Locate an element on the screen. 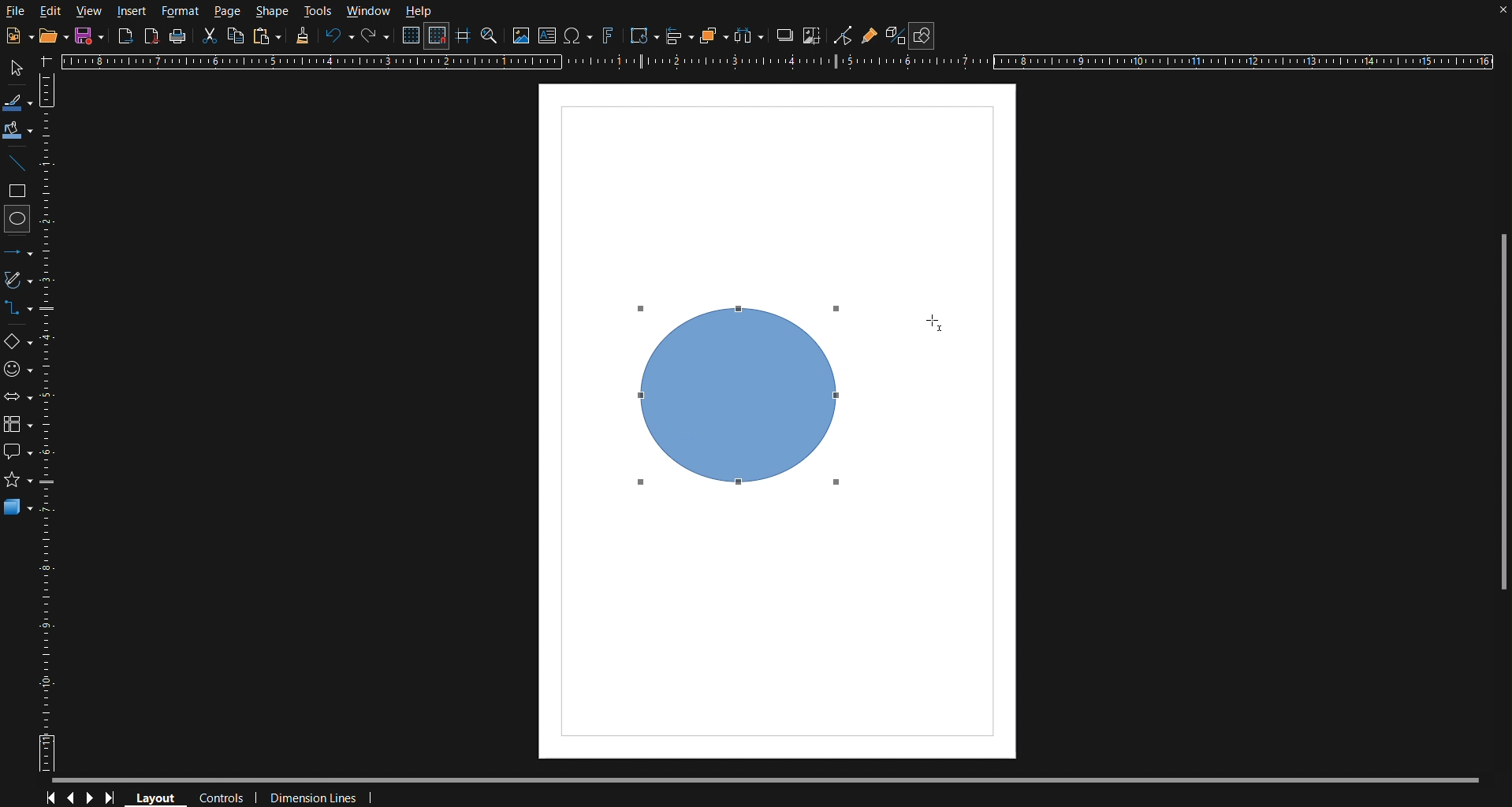  Controls is located at coordinates (82, 796).